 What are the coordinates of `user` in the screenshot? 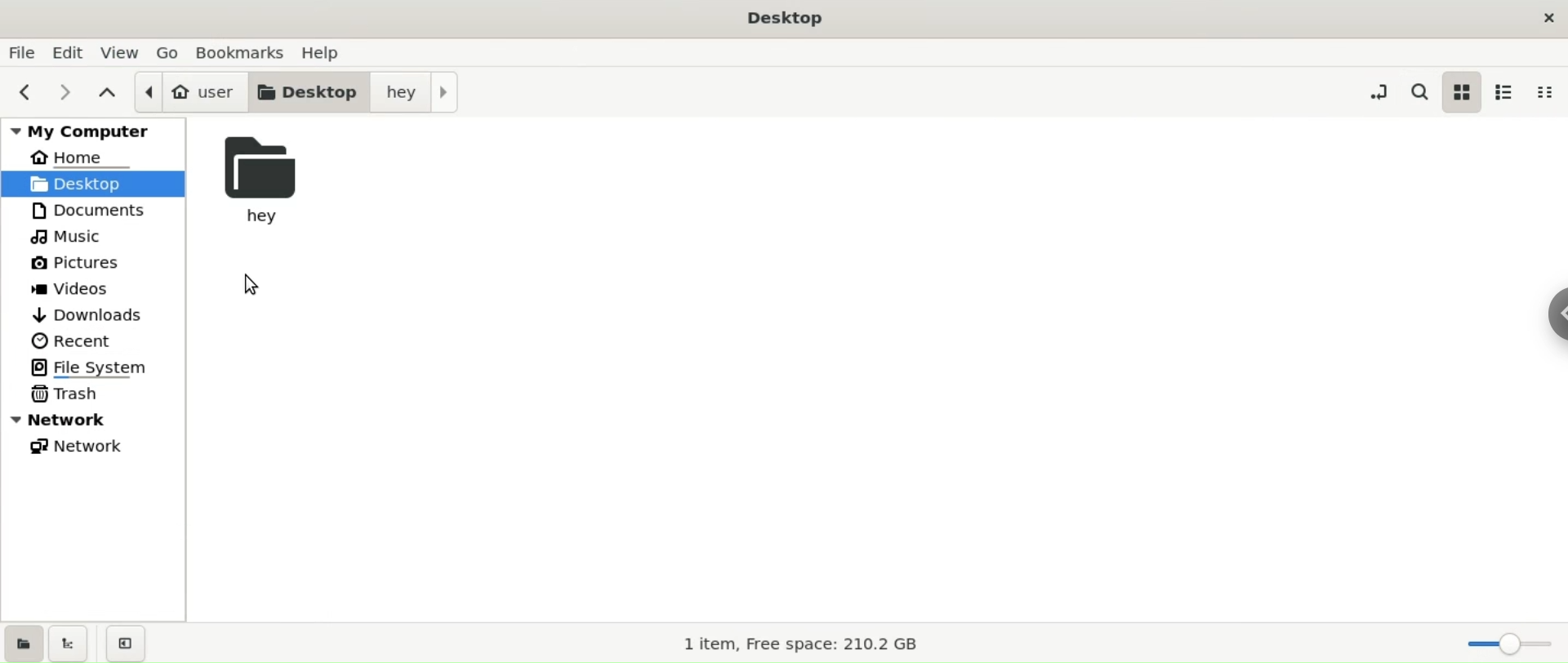 It's located at (191, 92).